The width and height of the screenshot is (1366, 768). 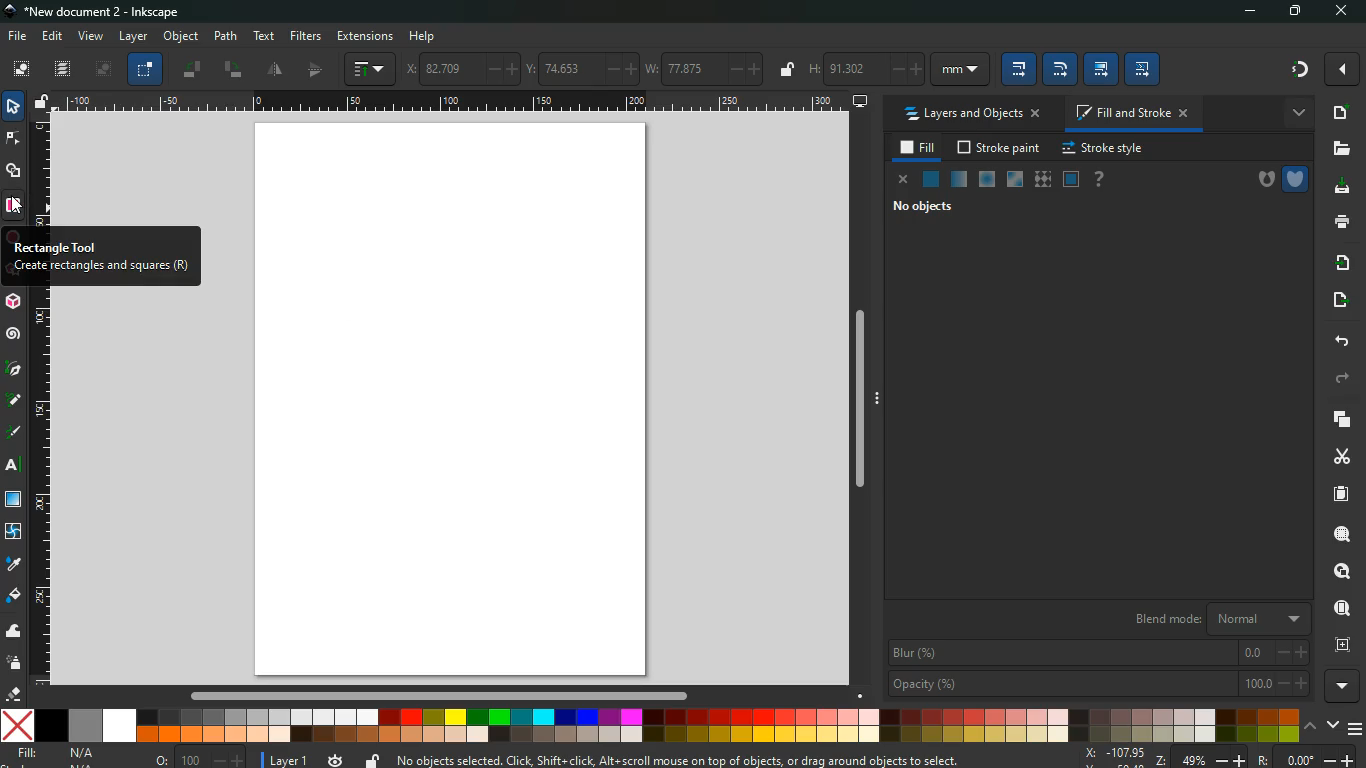 I want to click on unlock, so click(x=369, y=760).